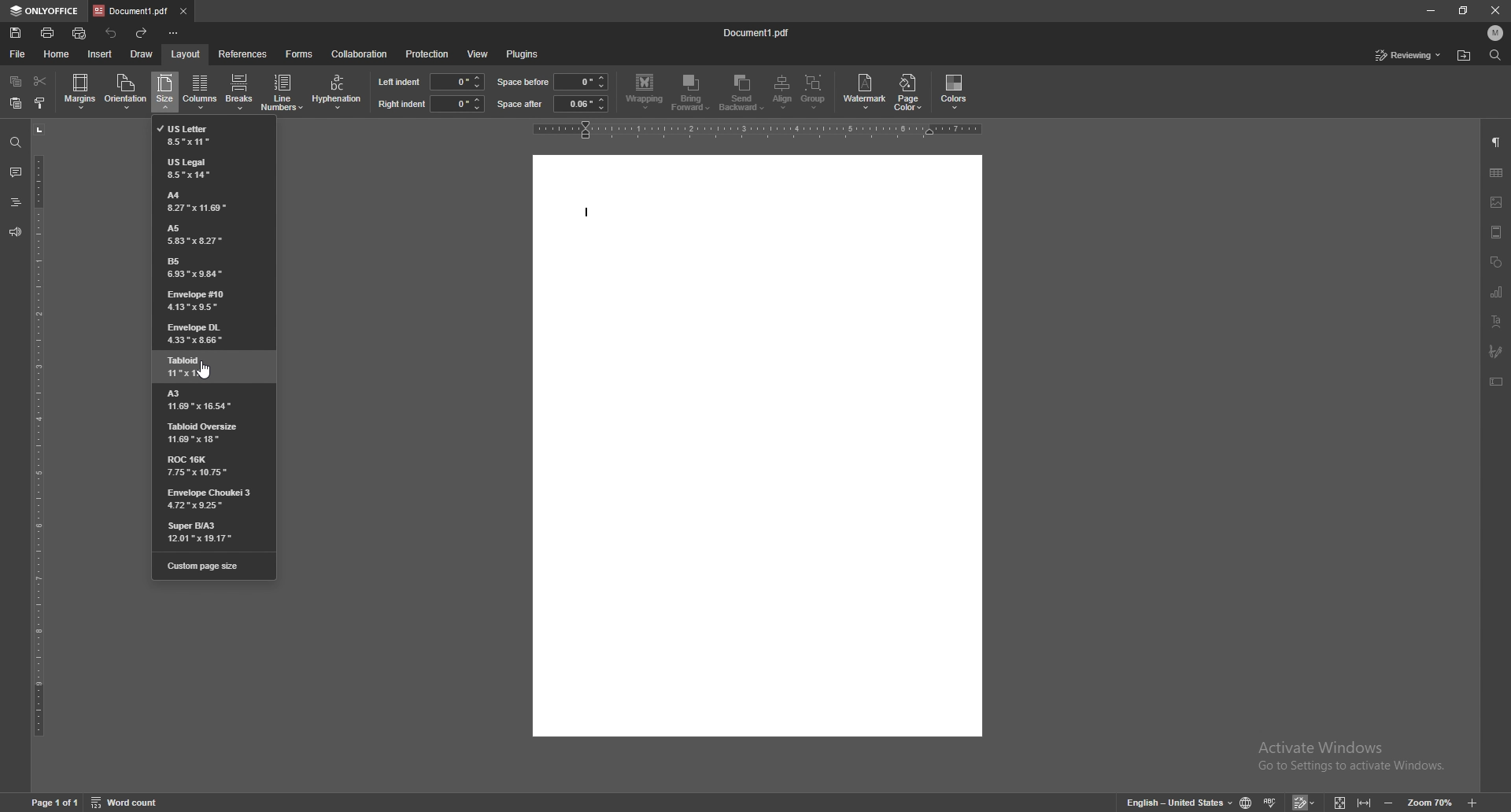 The image size is (1511, 812). Describe the element at coordinates (579, 82) in the screenshot. I see `input space before` at that location.